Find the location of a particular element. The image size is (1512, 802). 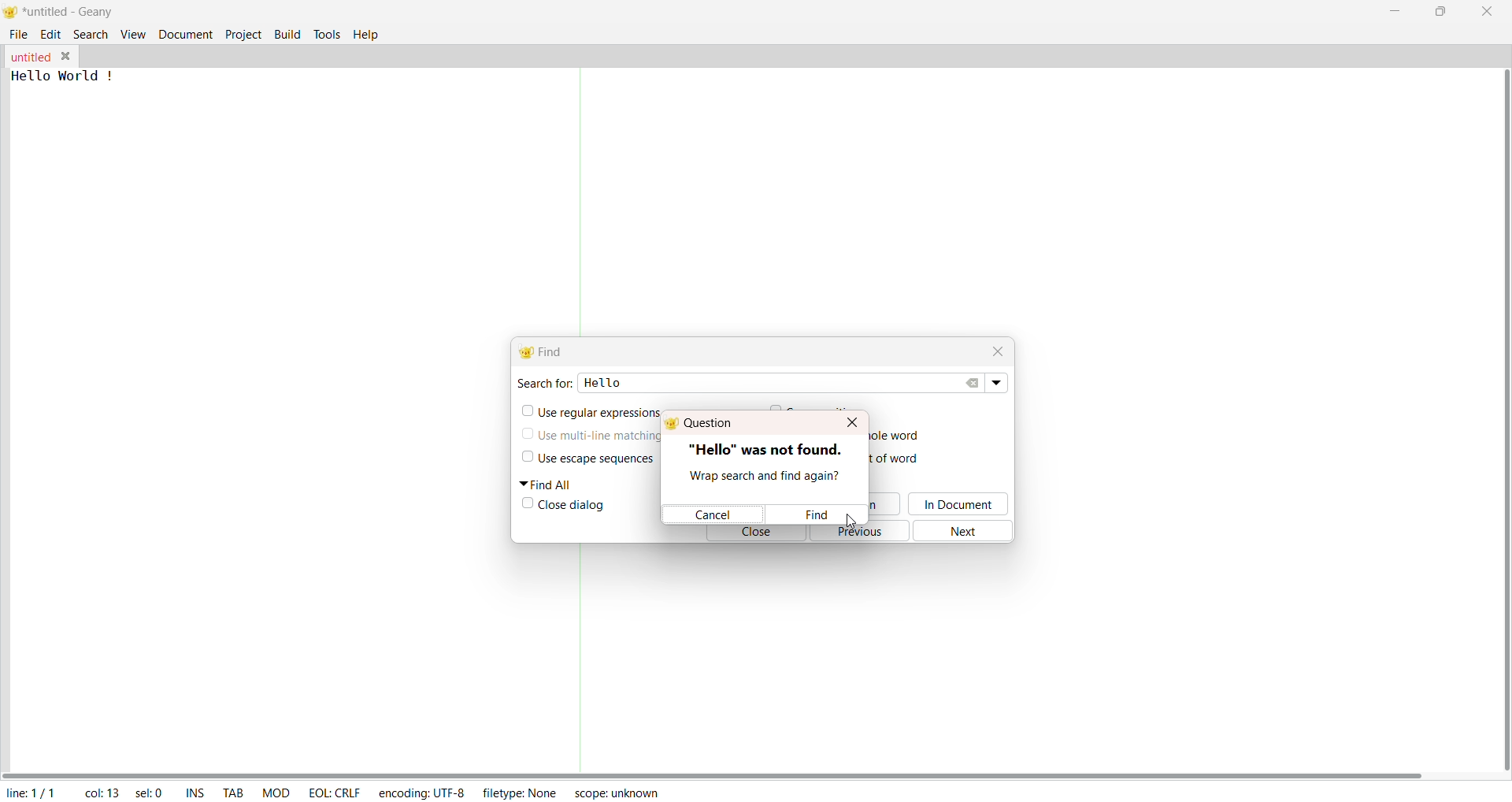

Hello world ! is located at coordinates (66, 76).